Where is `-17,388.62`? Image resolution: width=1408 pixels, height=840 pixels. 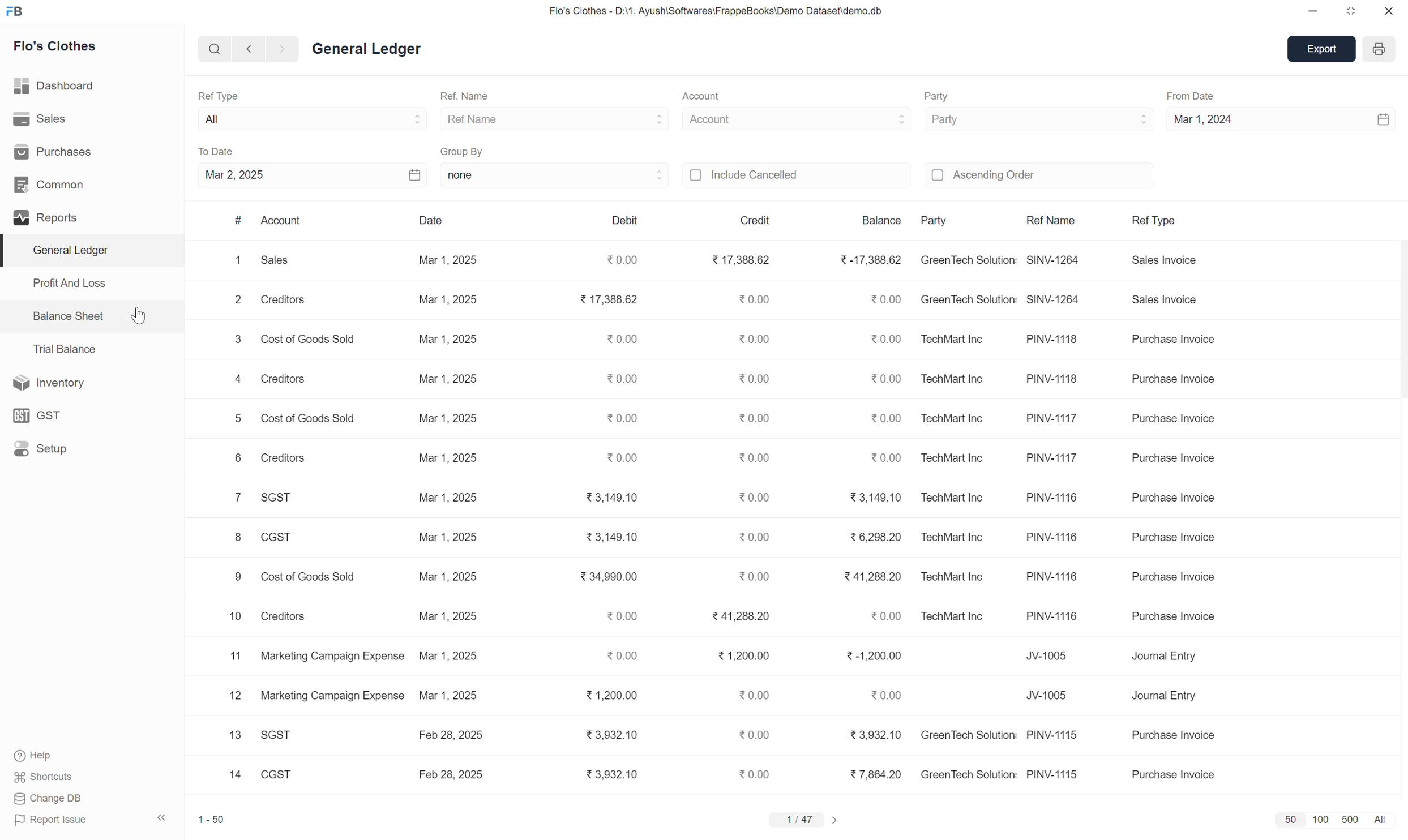
-17,388.62 is located at coordinates (864, 259).